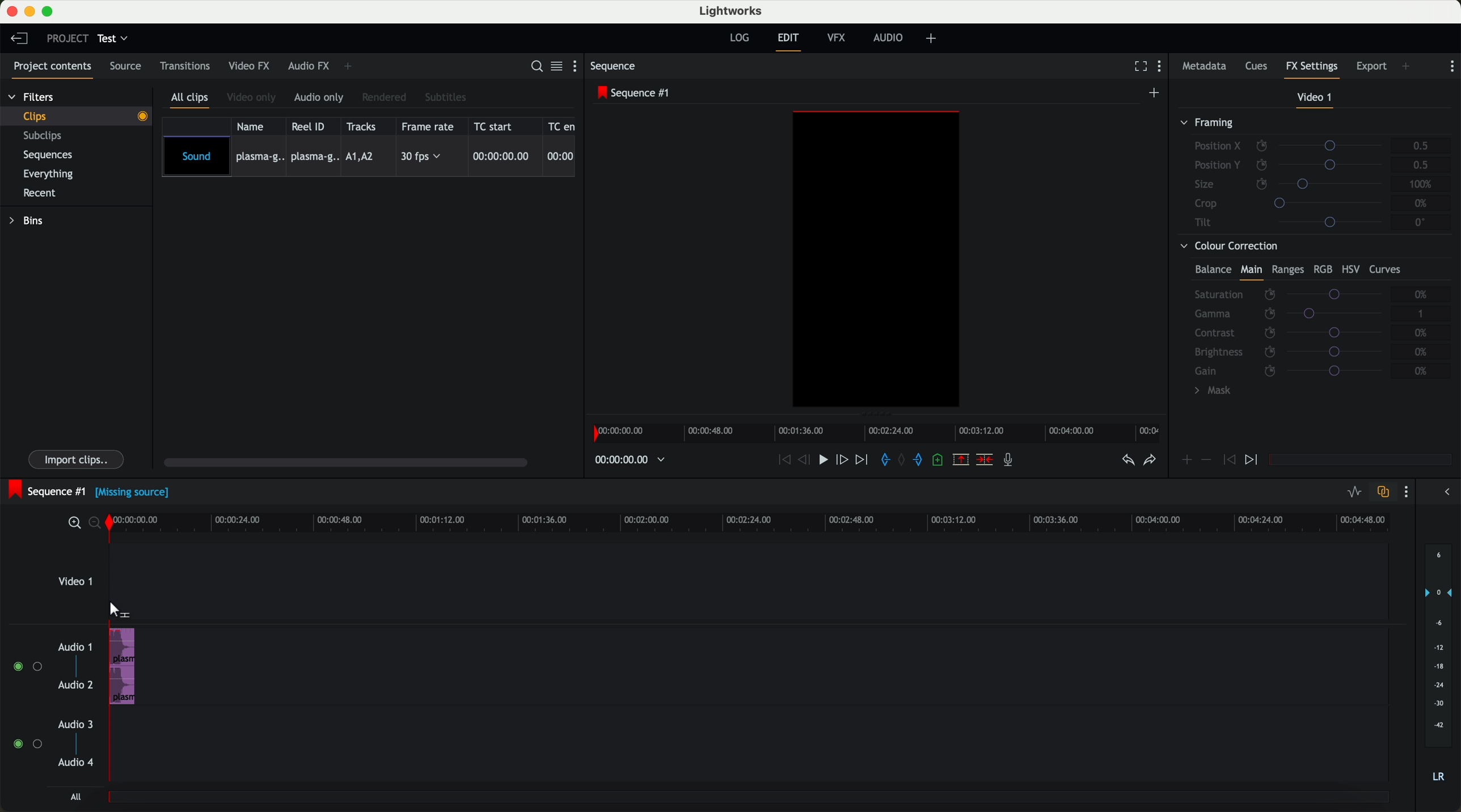 This screenshot has height=812, width=1461. Describe the element at coordinates (933, 39) in the screenshot. I see `add` at that location.